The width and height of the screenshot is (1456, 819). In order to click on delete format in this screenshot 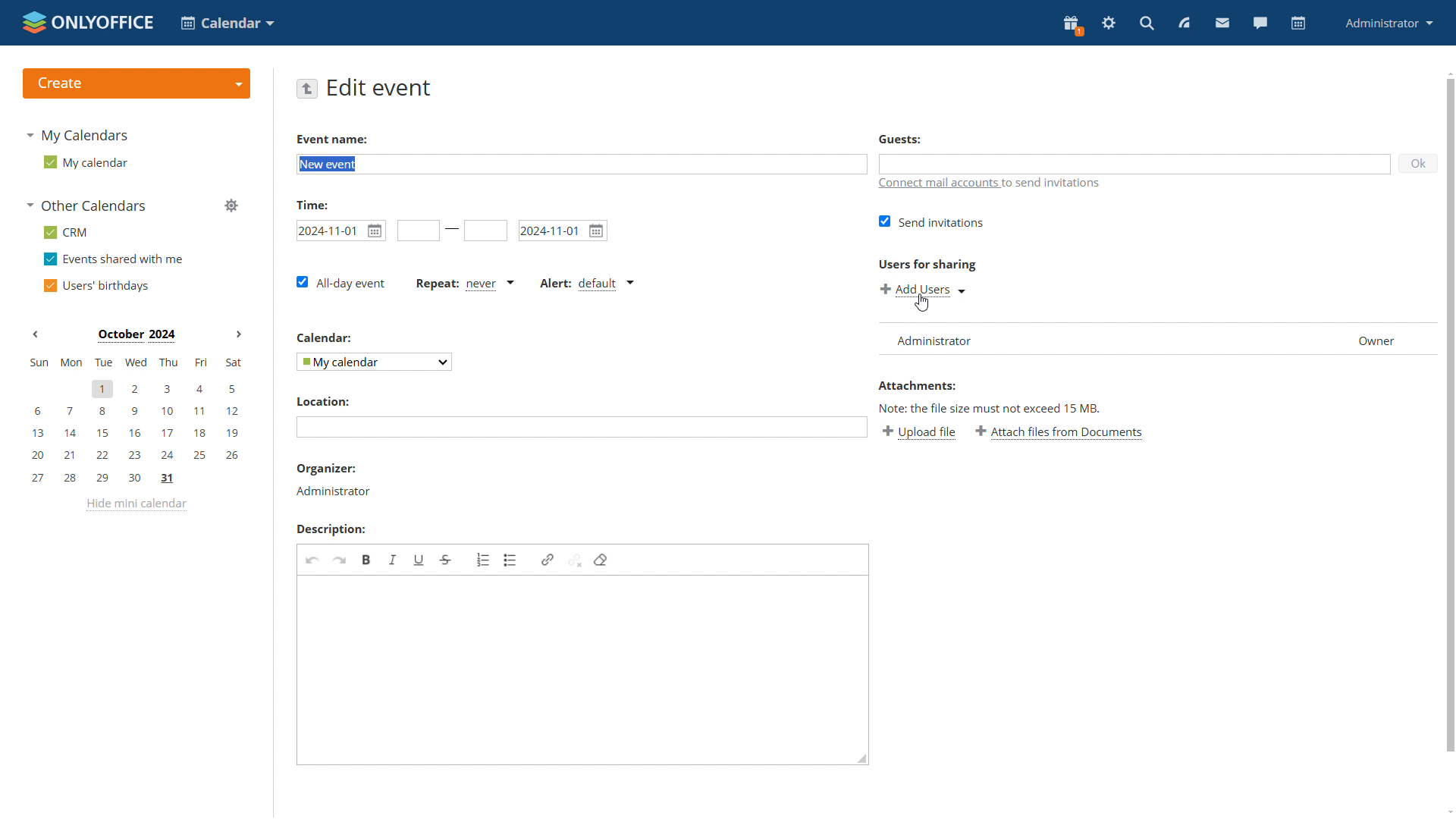, I will do `click(601, 560)`.